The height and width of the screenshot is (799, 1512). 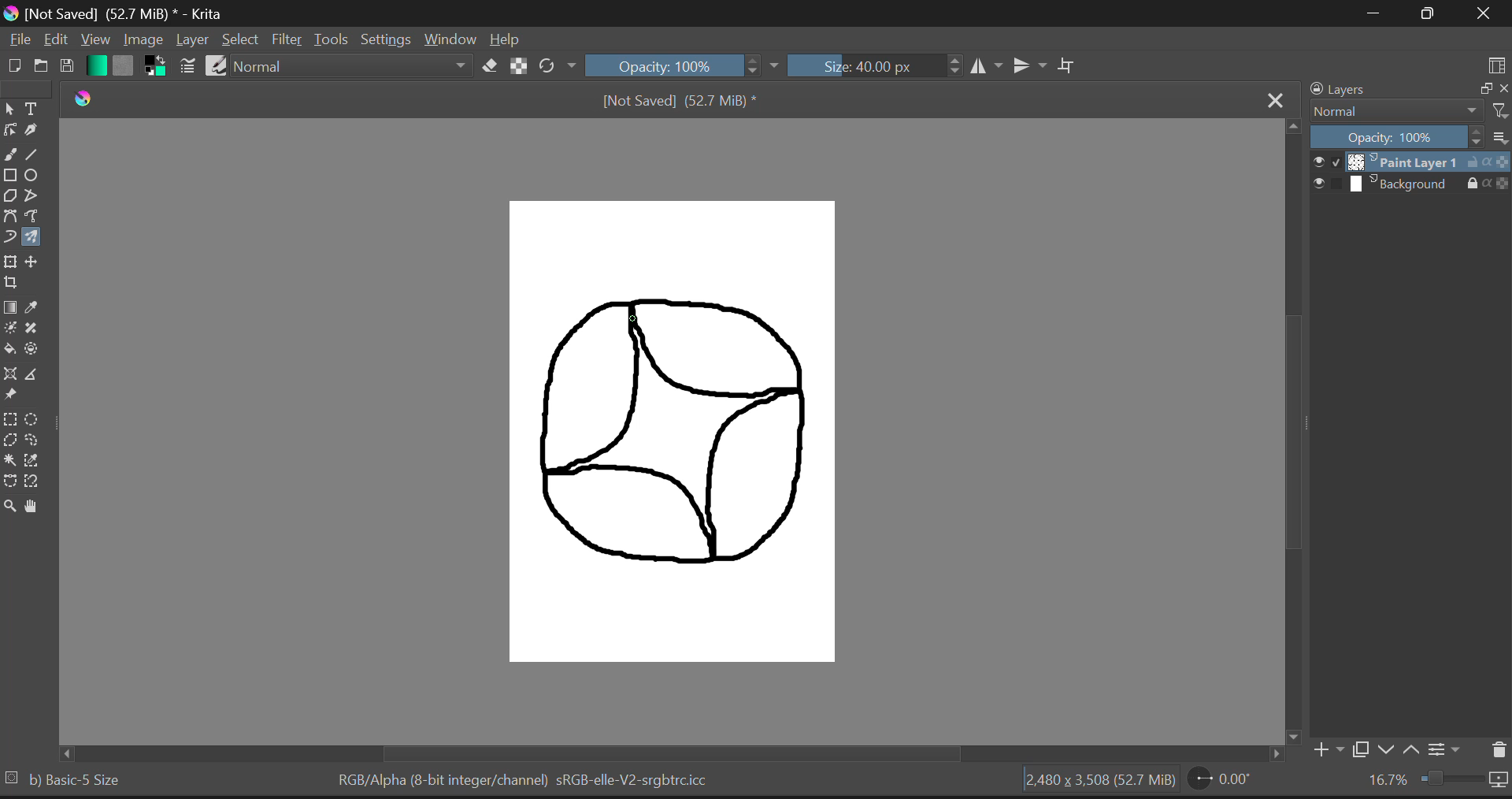 What do you see at coordinates (18, 42) in the screenshot?
I see `File` at bounding box center [18, 42].